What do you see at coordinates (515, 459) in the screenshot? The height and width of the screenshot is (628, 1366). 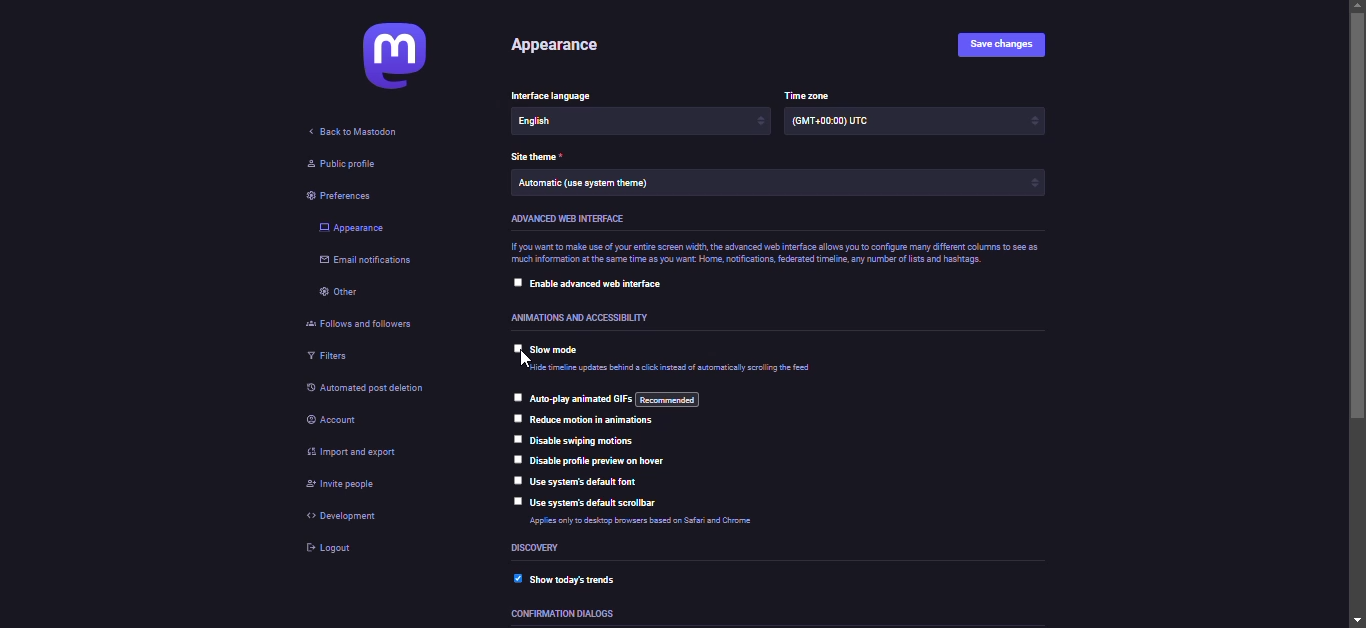 I see `click to select` at bounding box center [515, 459].